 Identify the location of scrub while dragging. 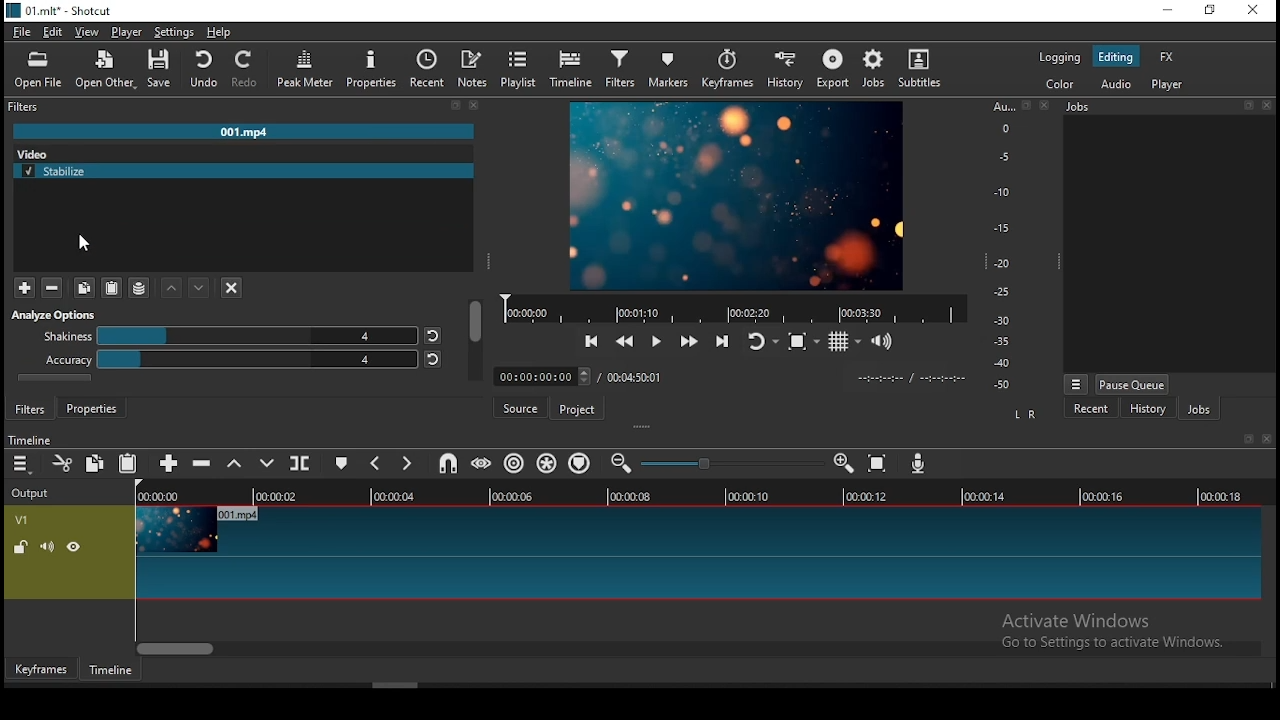
(483, 462).